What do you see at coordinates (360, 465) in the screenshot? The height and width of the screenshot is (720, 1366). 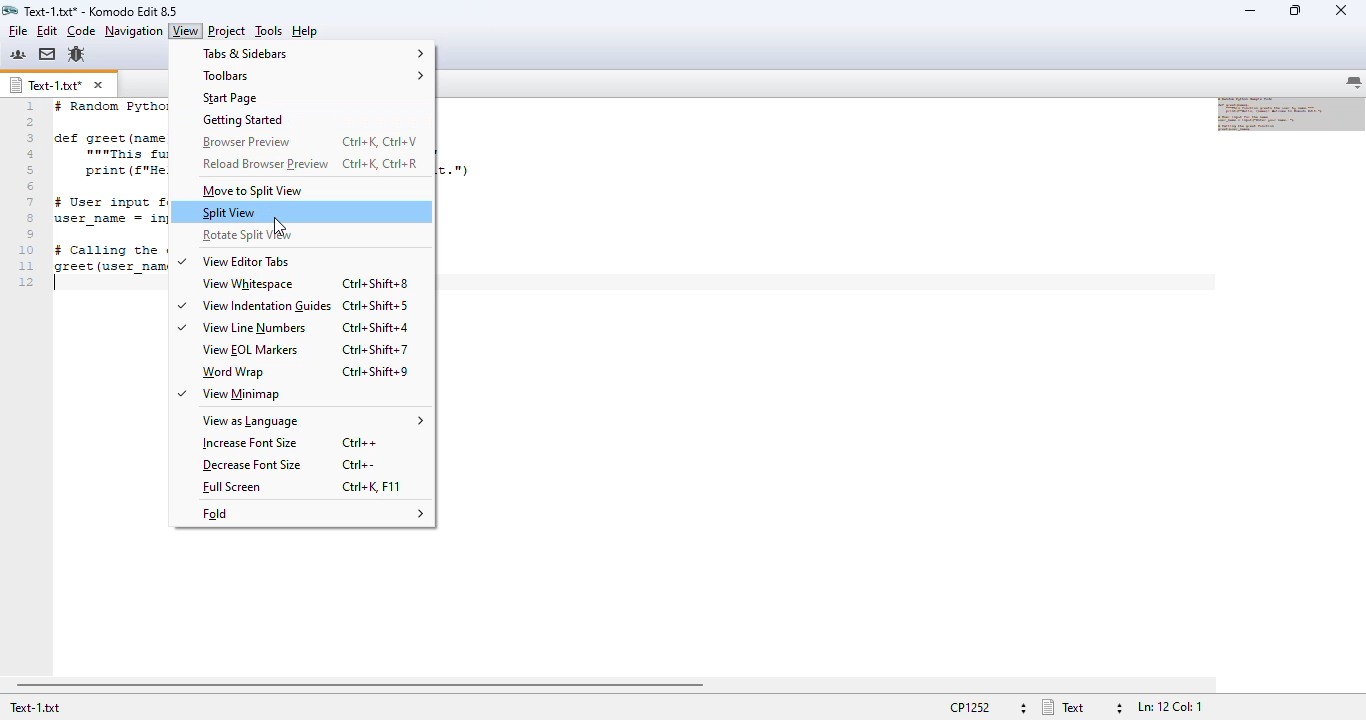 I see `shortcut for decrease font size` at bounding box center [360, 465].